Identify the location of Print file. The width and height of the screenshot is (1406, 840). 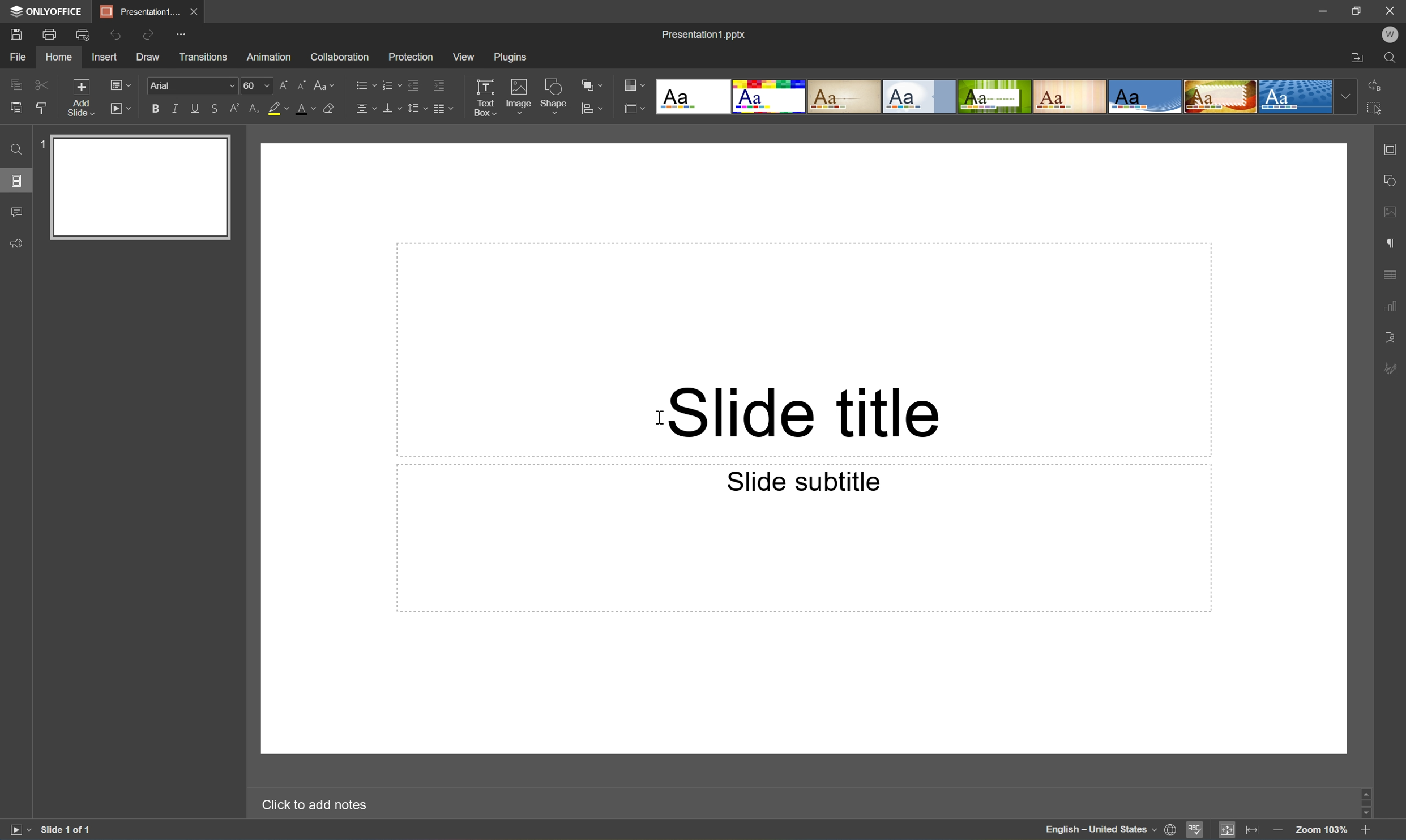
(50, 33).